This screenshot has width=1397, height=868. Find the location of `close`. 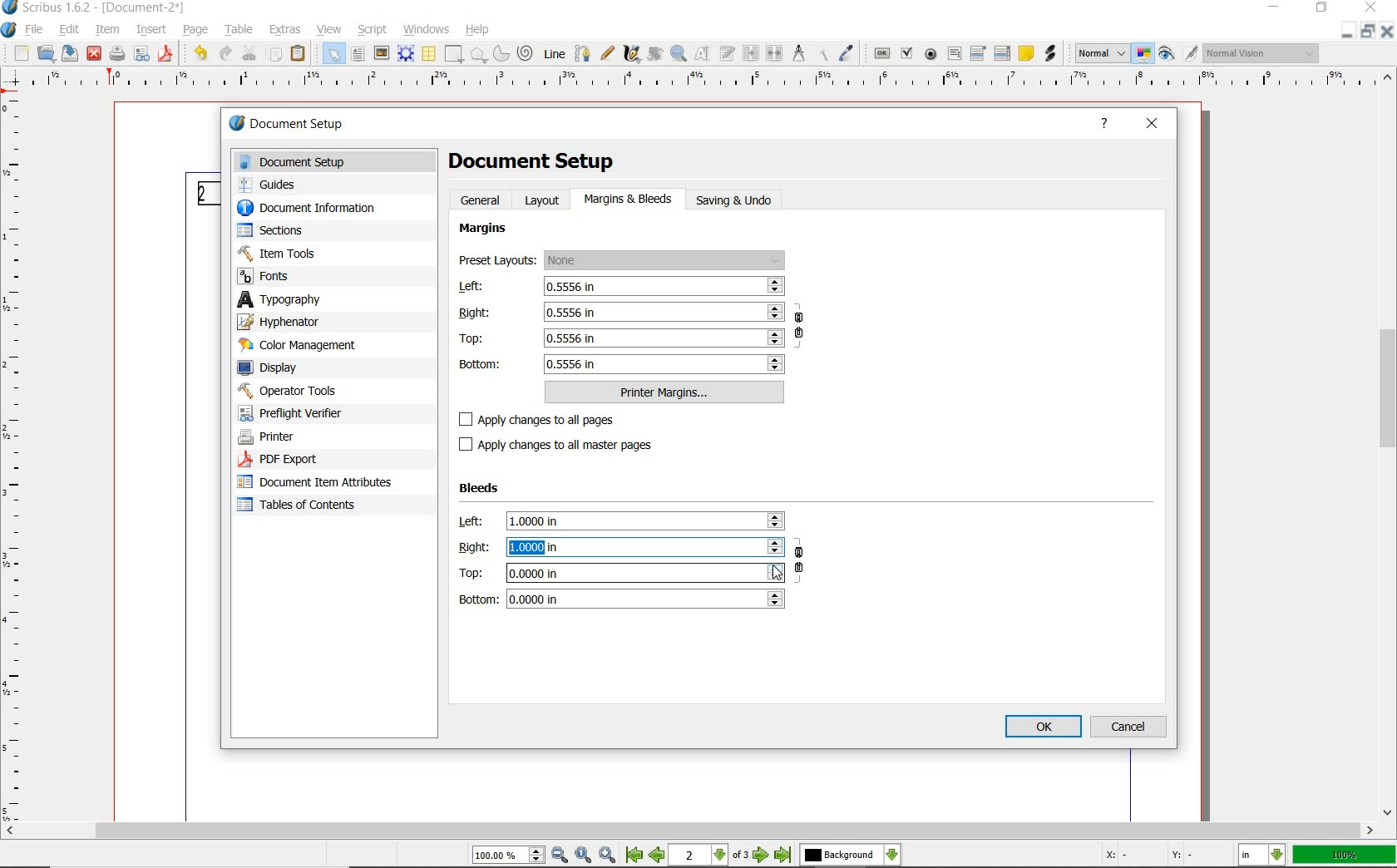

close is located at coordinates (1370, 8).